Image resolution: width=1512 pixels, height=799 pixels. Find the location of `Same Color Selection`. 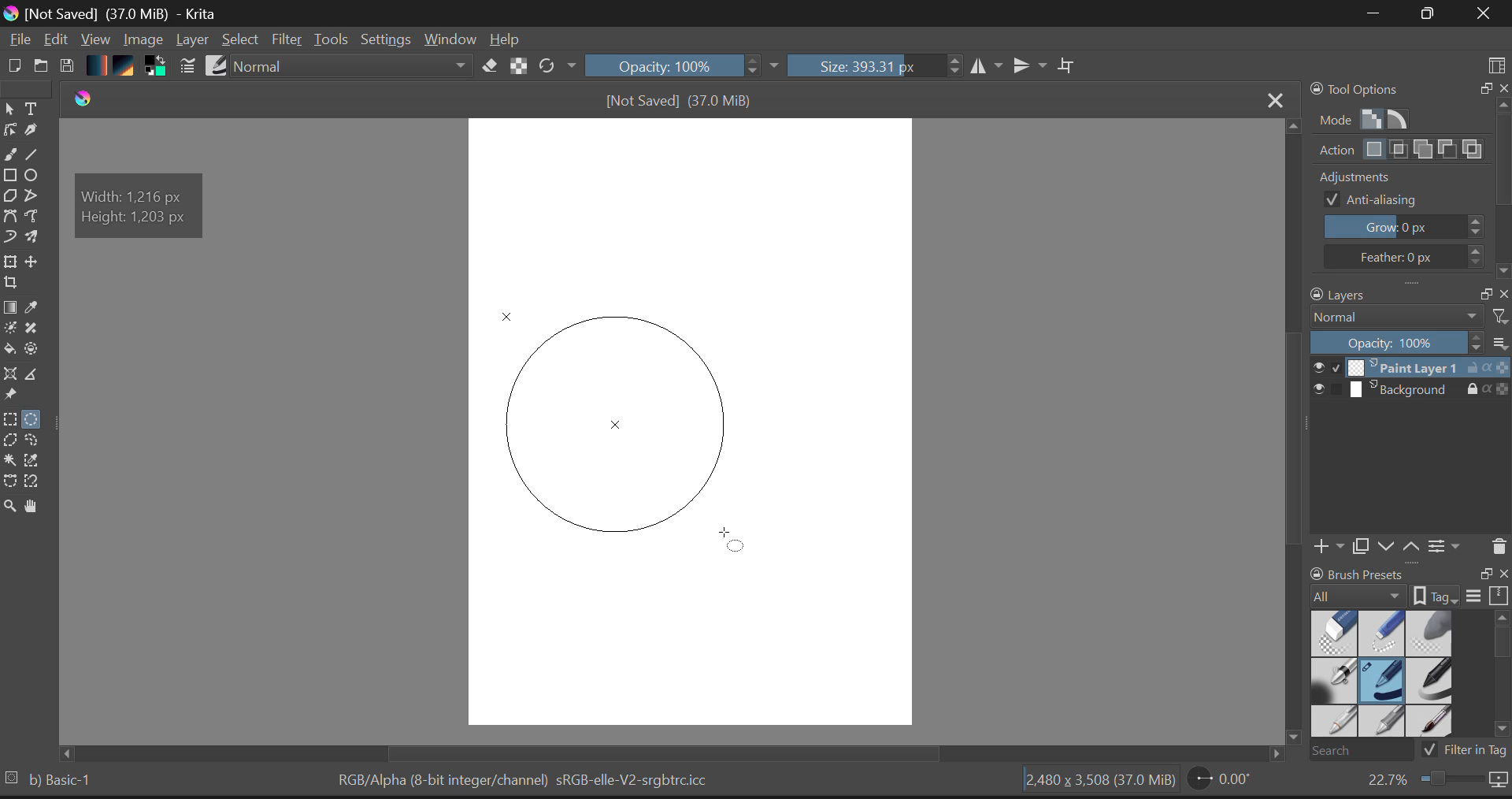

Same Color Selection is located at coordinates (37, 463).